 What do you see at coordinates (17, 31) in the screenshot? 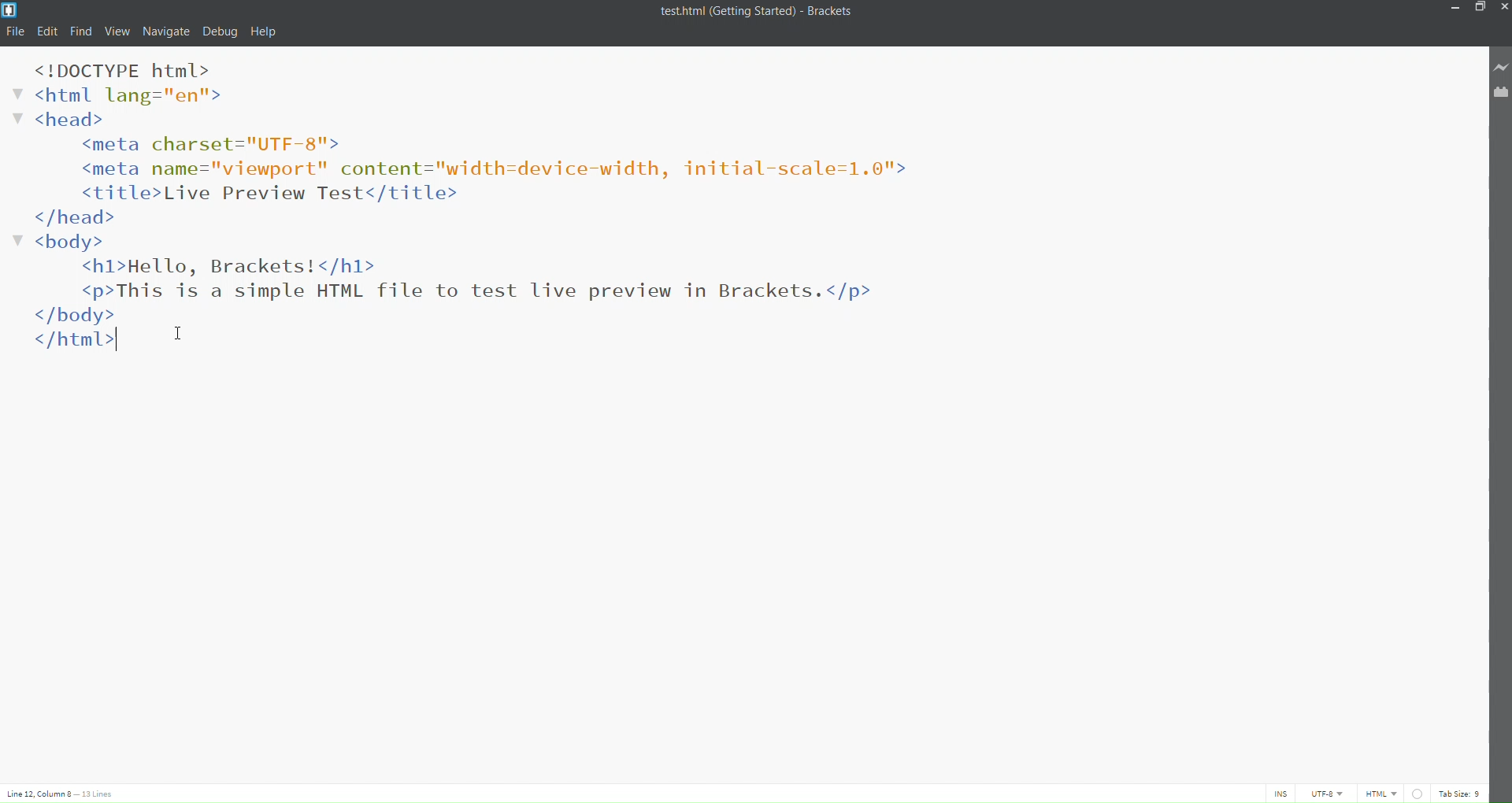
I see `File` at bounding box center [17, 31].